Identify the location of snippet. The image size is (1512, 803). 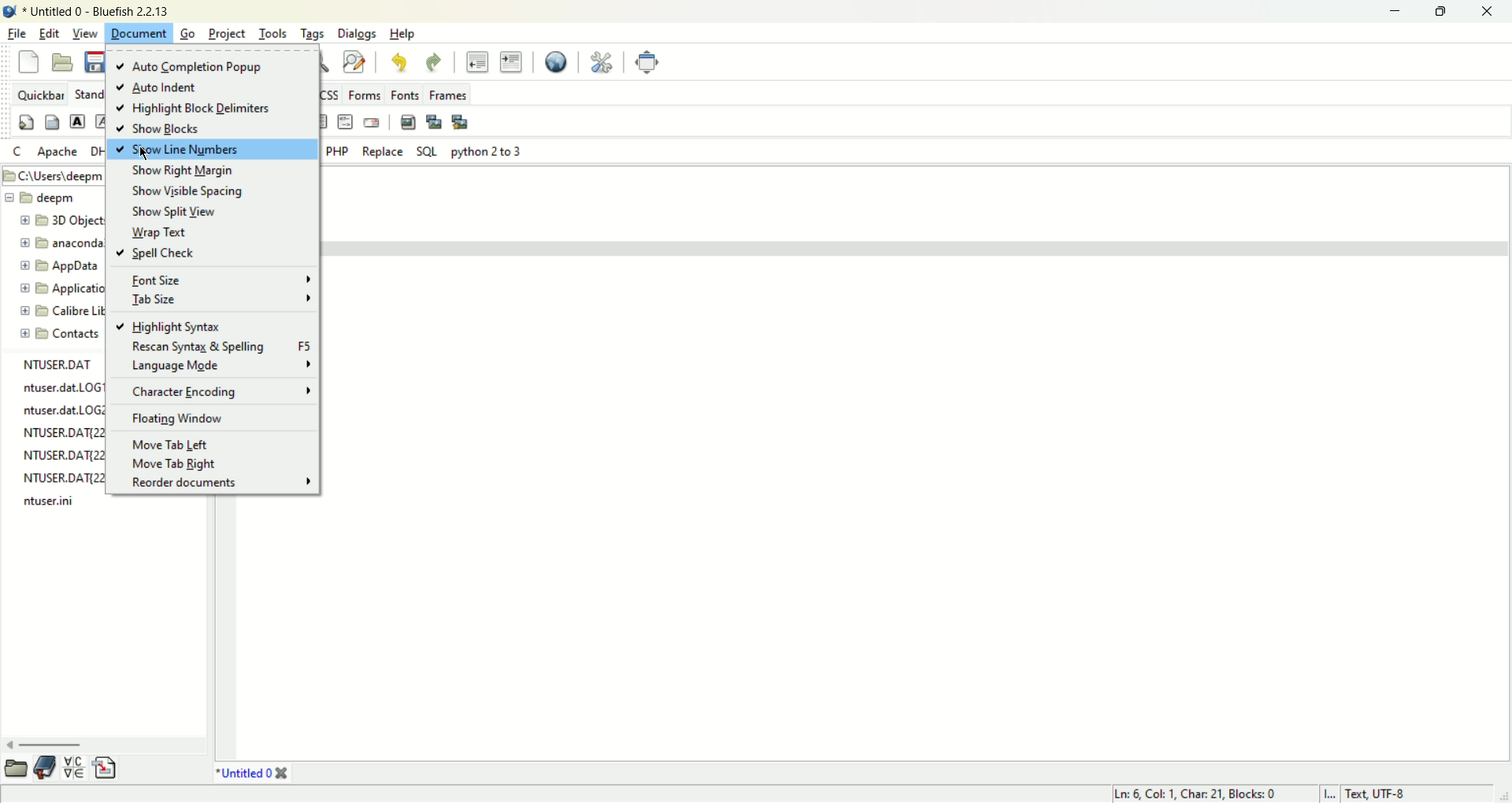
(108, 767).